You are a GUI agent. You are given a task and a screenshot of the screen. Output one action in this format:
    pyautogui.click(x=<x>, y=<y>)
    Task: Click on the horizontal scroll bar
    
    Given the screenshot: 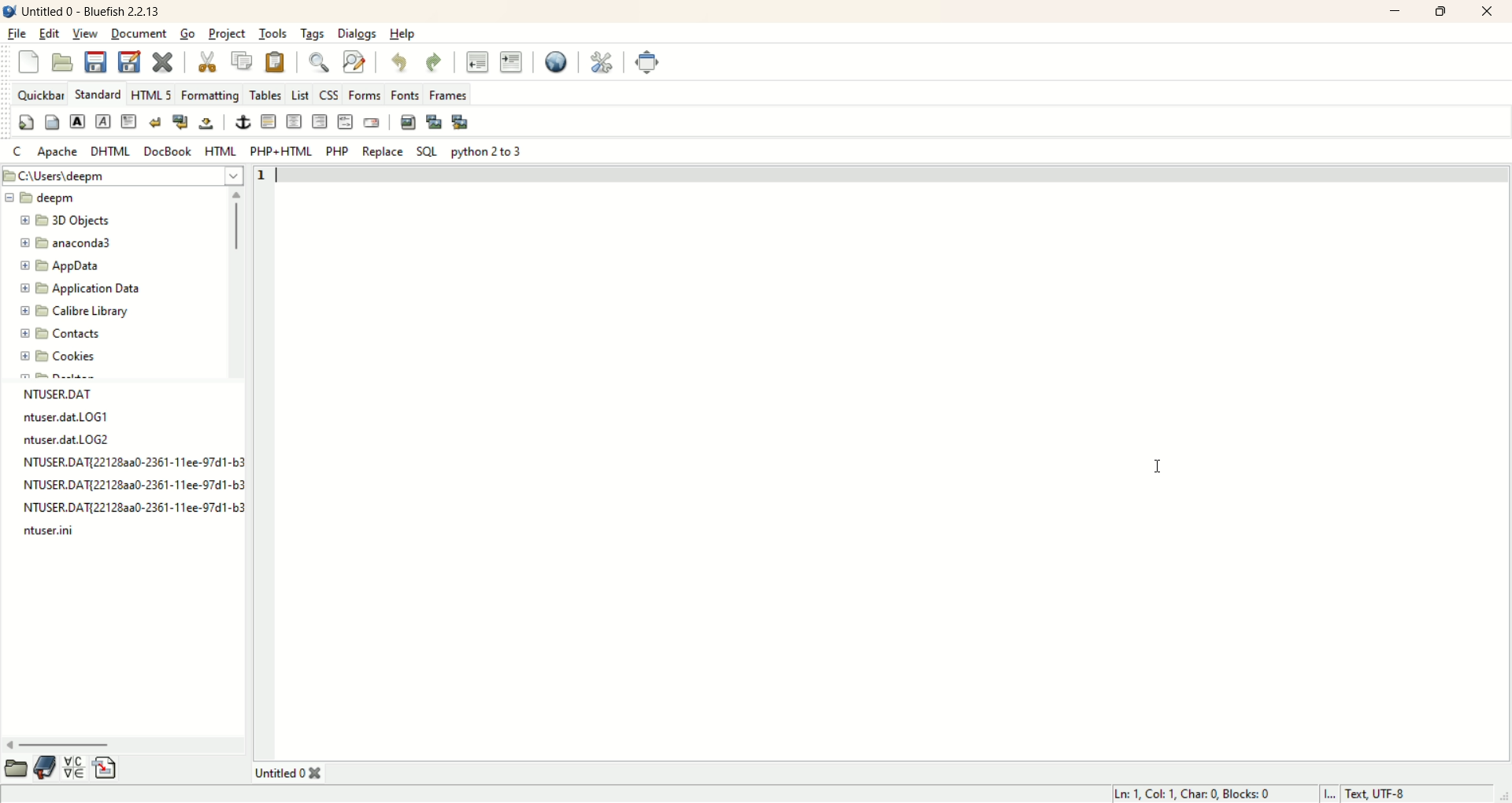 What is the action you would take?
    pyautogui.click(x=122, y=742)
    